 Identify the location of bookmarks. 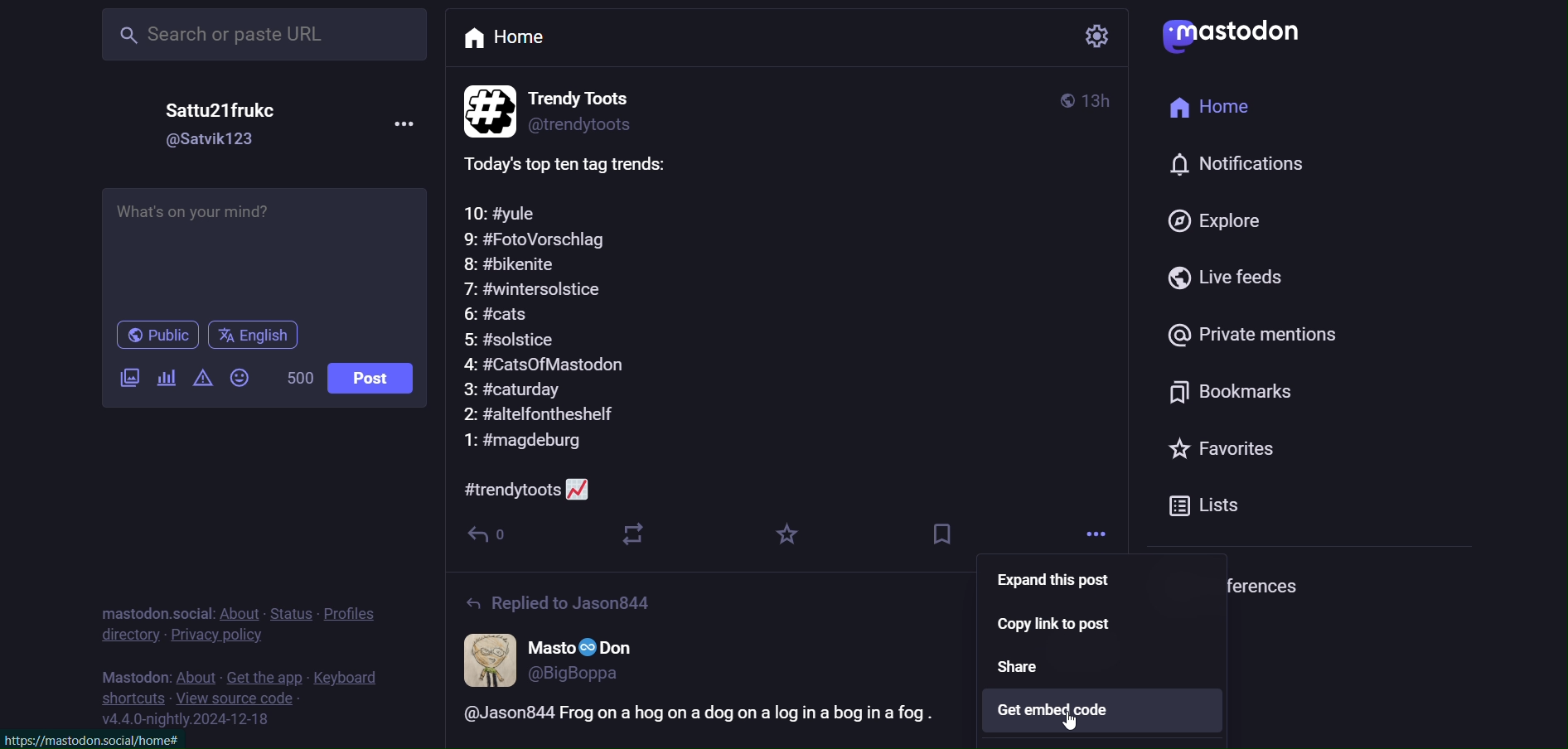
(1222, 392).